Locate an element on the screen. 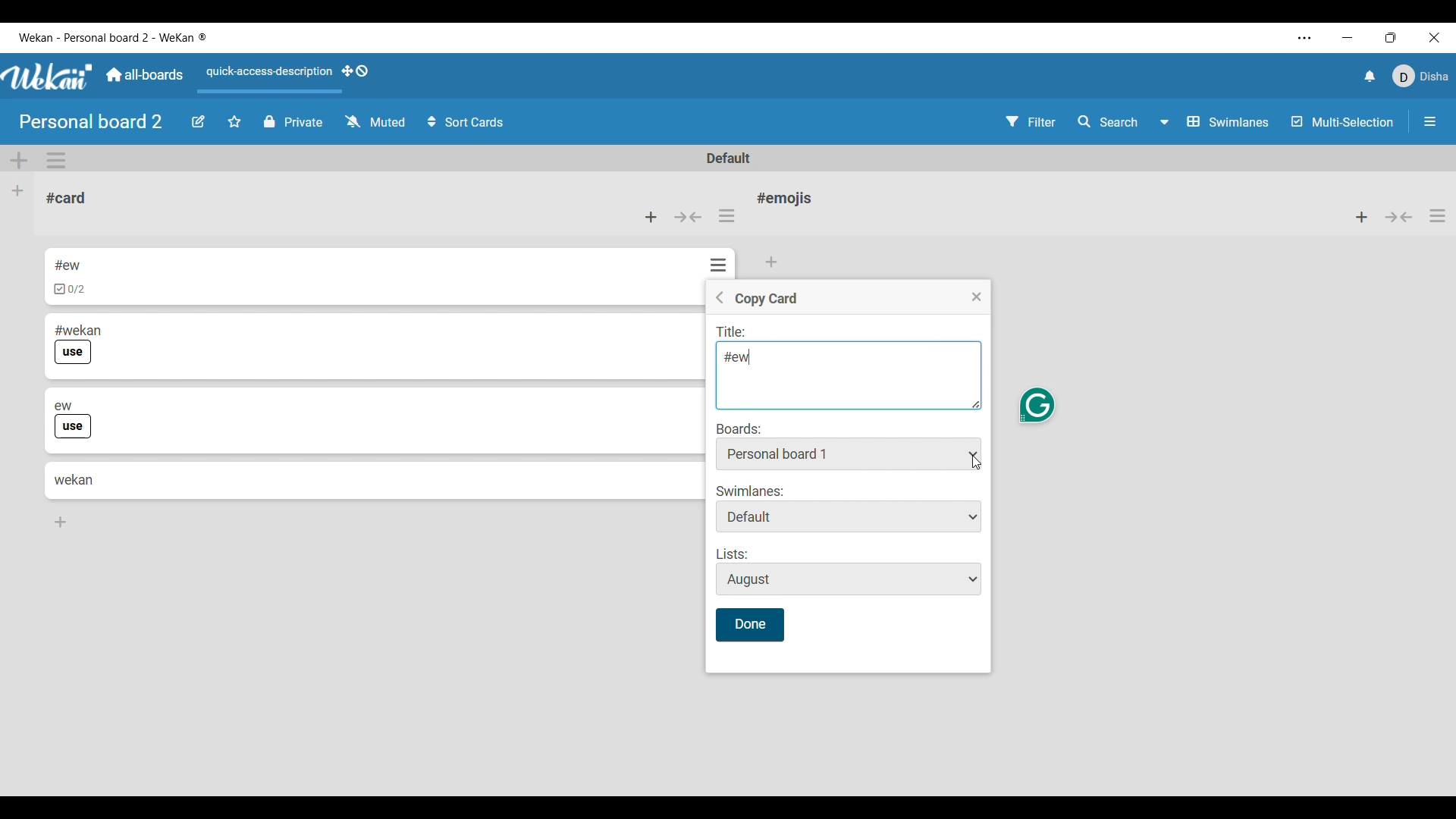  Card 2 is located at coordinates (127, 327).